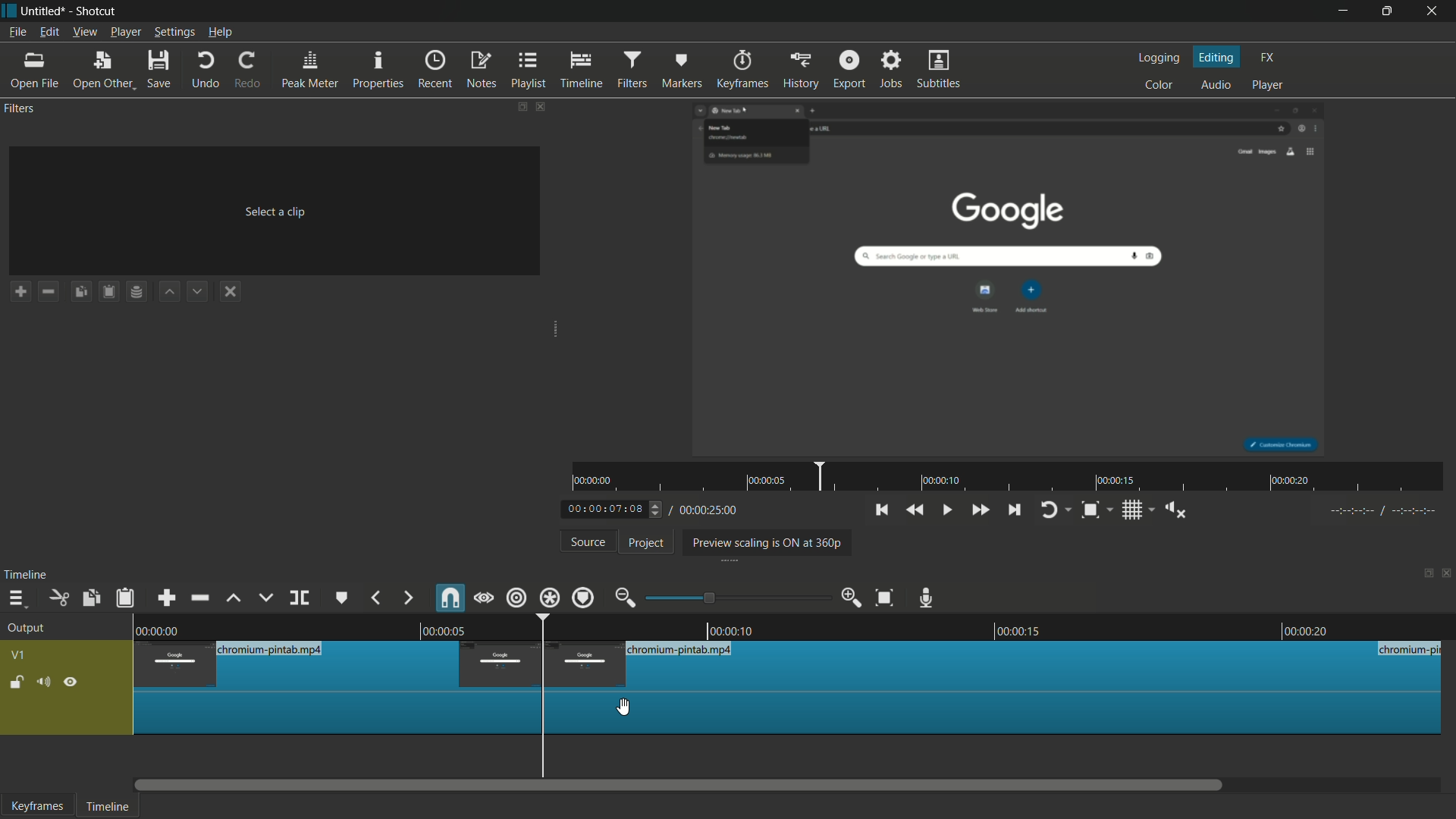 This screenshot has height=819, width=1456. Describe the element at coordinates (20, 291) in the screenshot. I see `add a filter` at that location.